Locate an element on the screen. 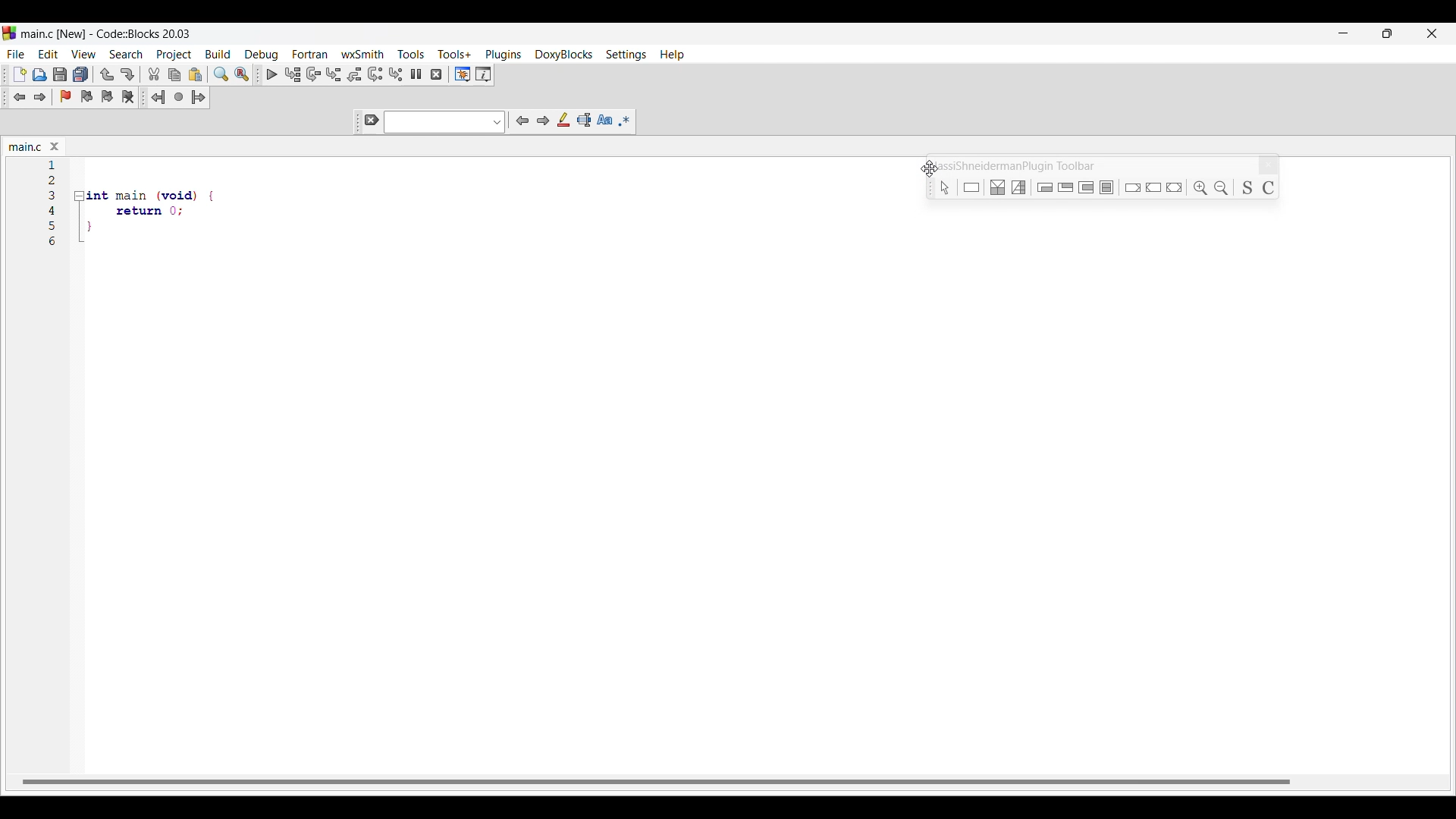 The width and height of the screenshot is (1456, 819). Show in smaller tab is located at coordinates (1387, 33).